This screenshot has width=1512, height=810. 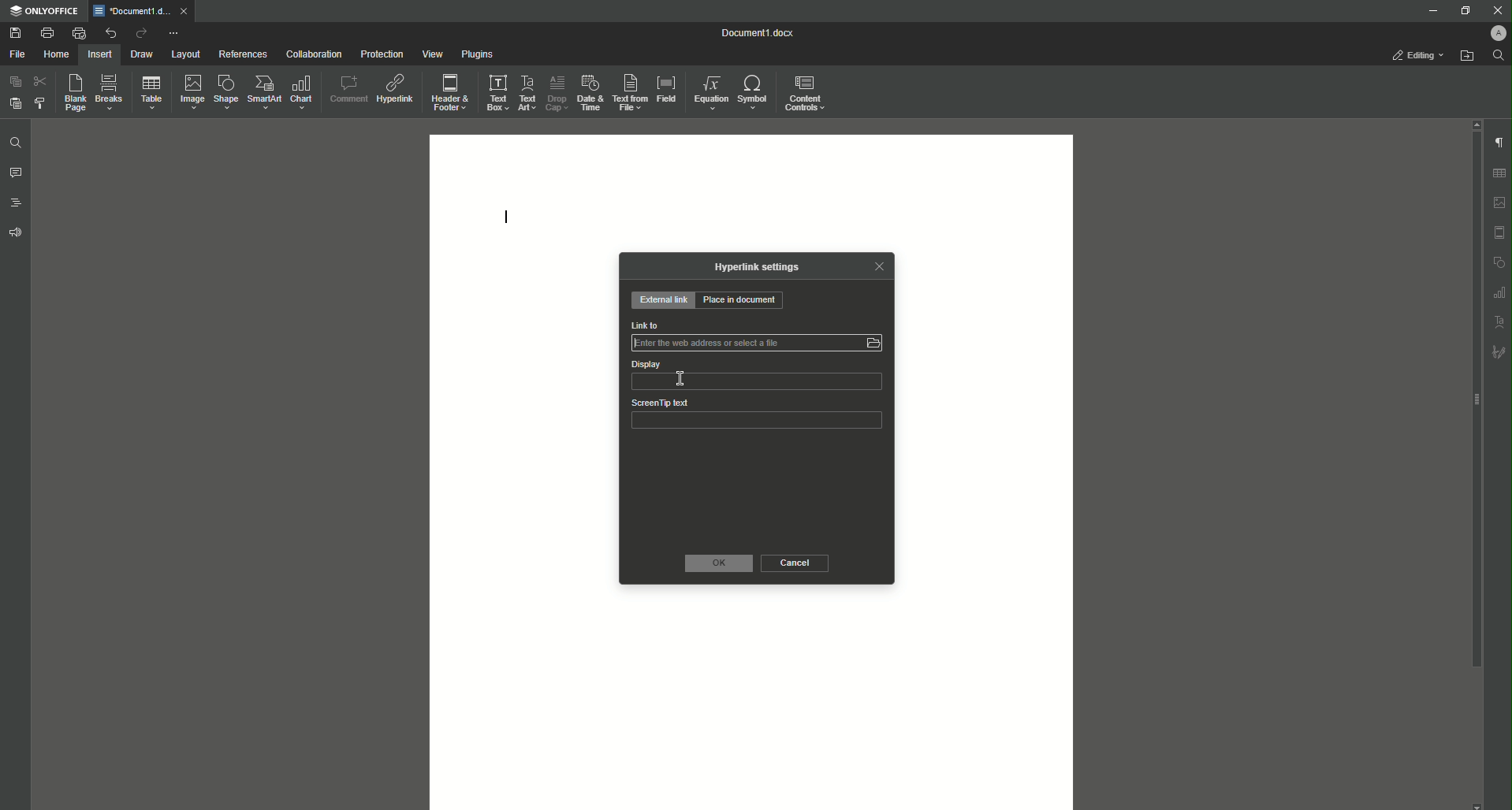 I want to click on Content Controls, so click(x=808, y=93).